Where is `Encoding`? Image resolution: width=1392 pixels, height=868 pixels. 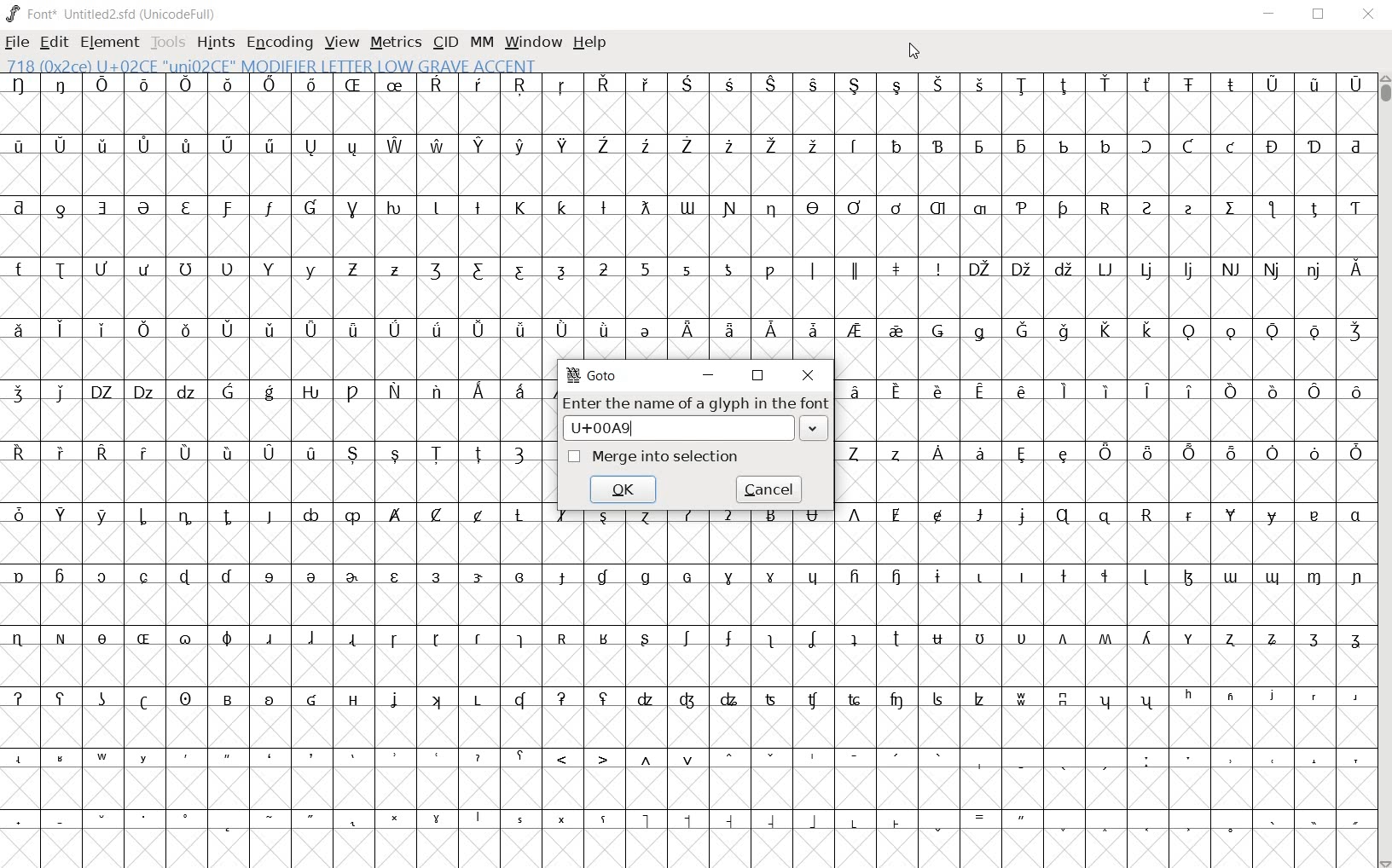
Encoding is located at coordinates (279, 43).